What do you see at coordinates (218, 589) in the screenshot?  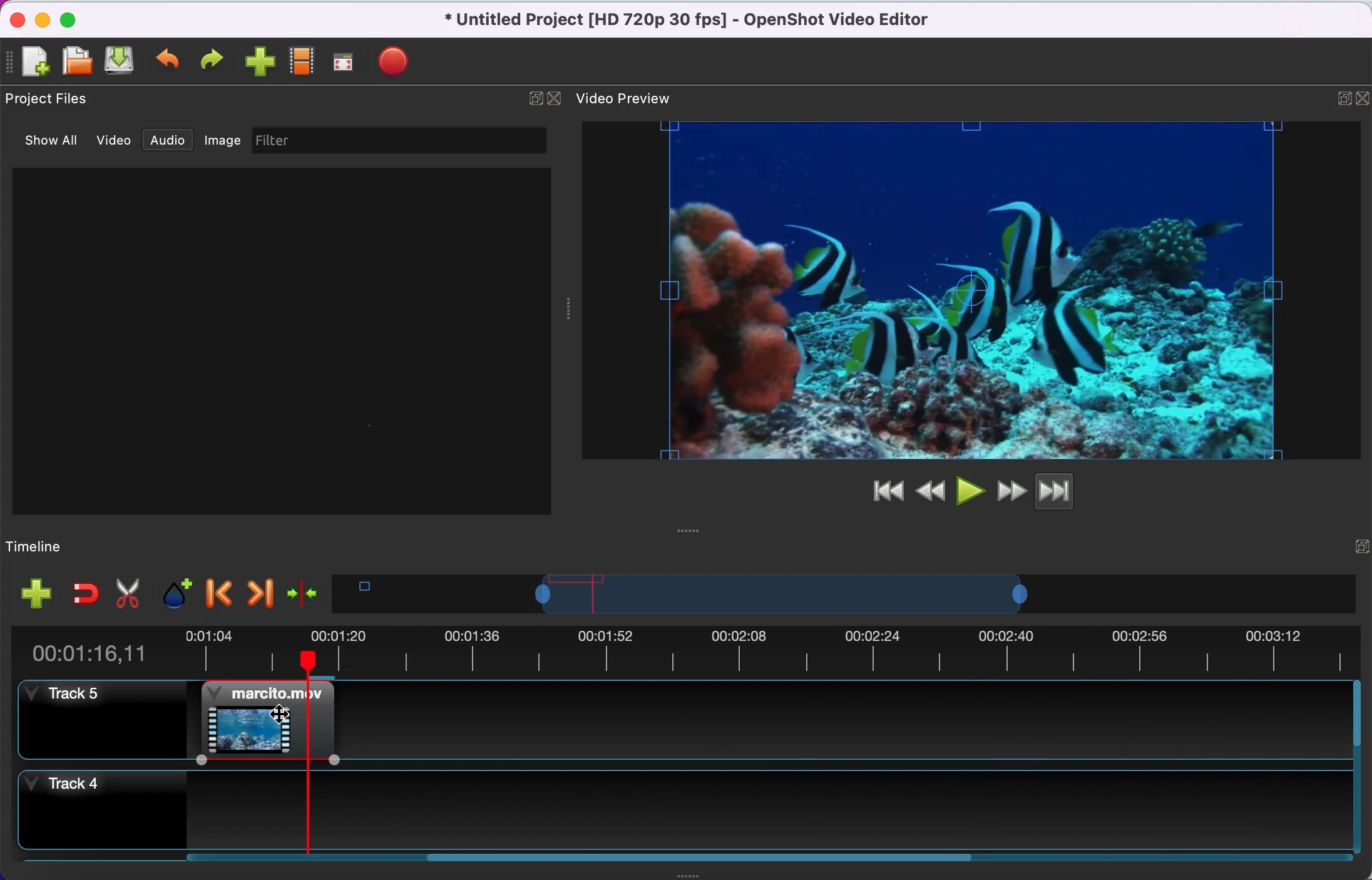 I see `previous marker` at bounding box center [218, 589].